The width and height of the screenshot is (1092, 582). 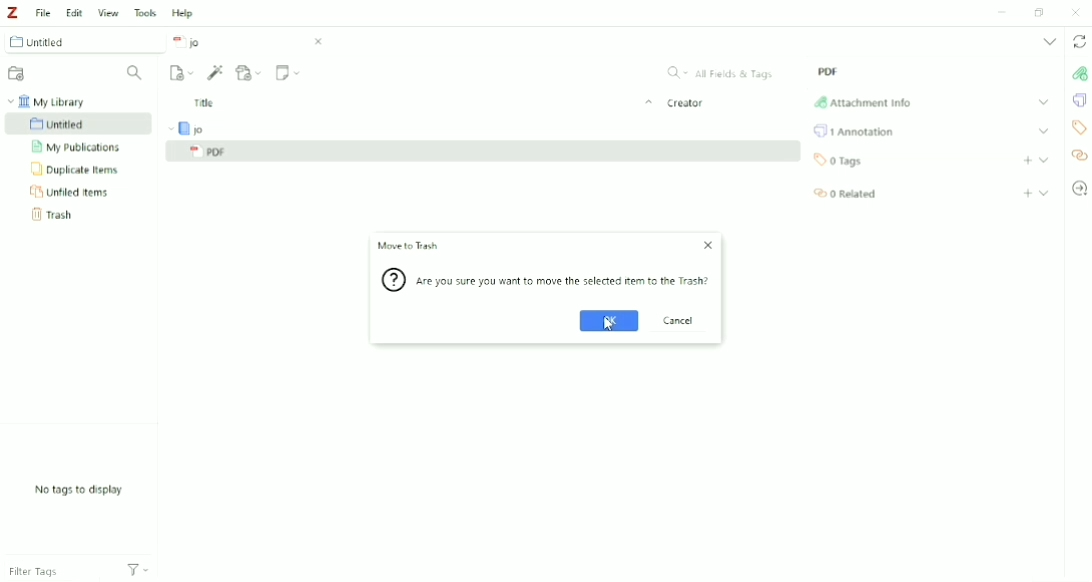 What do you see at coordinates (608, 321) in the screenshot?
I see `OK` at bounding box center [608, 321].